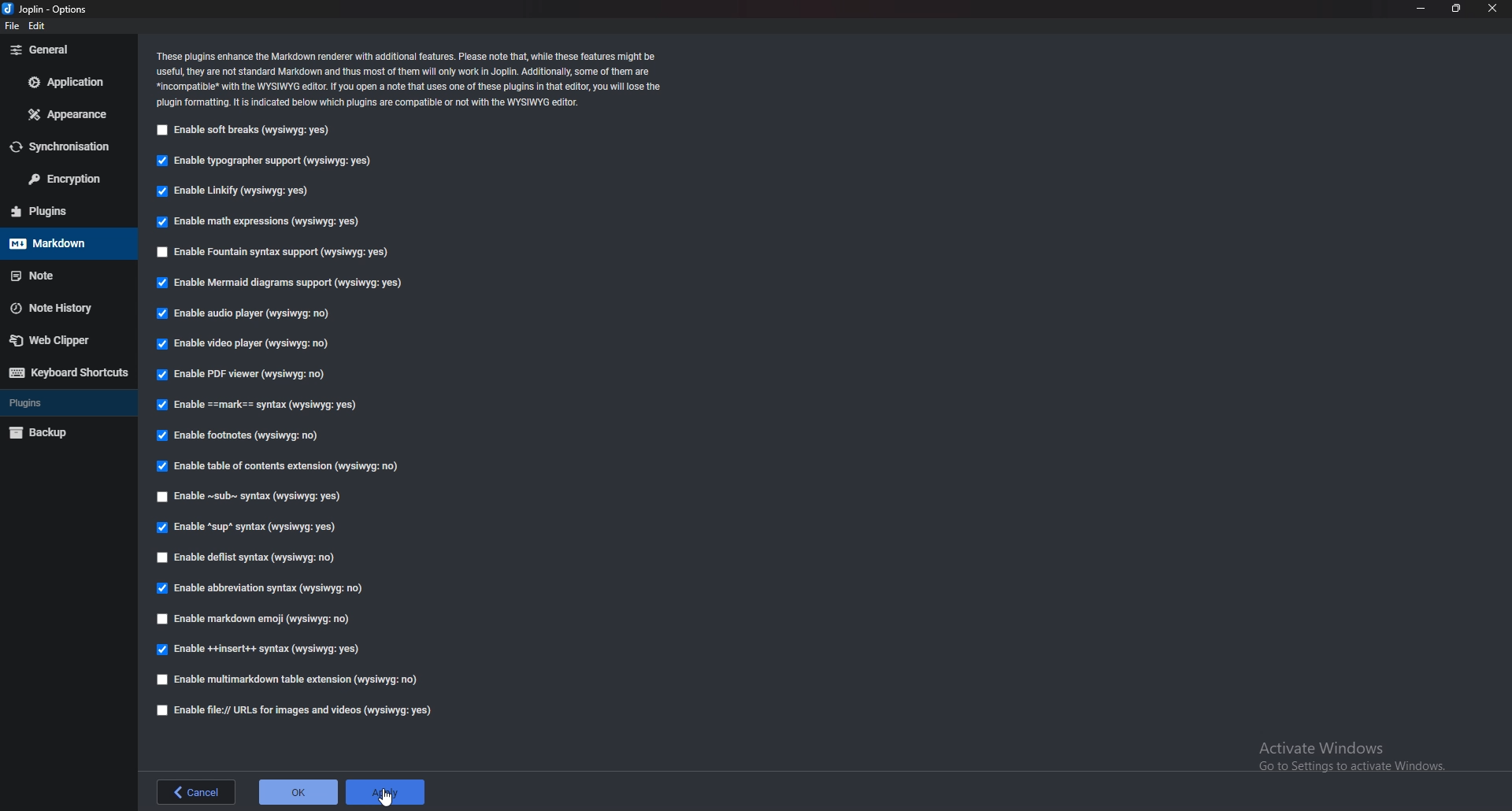 This screenshot has width=1512, height=811. What do you see at coordinates (232, 191) in the screenshot?
I see `enable linkify` at bounding box center [232, 191].